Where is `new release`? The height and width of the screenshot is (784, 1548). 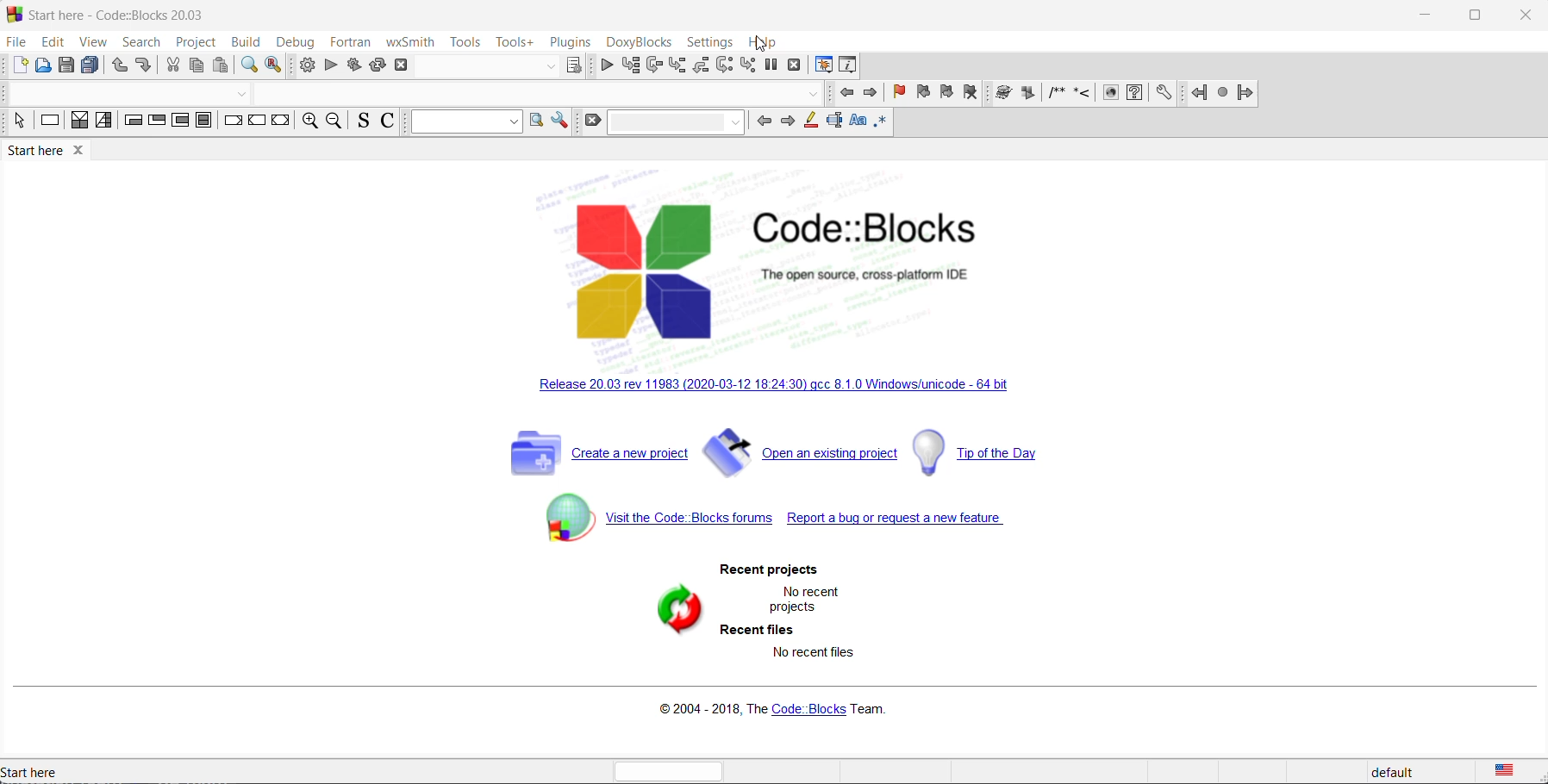 new release is located at coordinates (777, 385).